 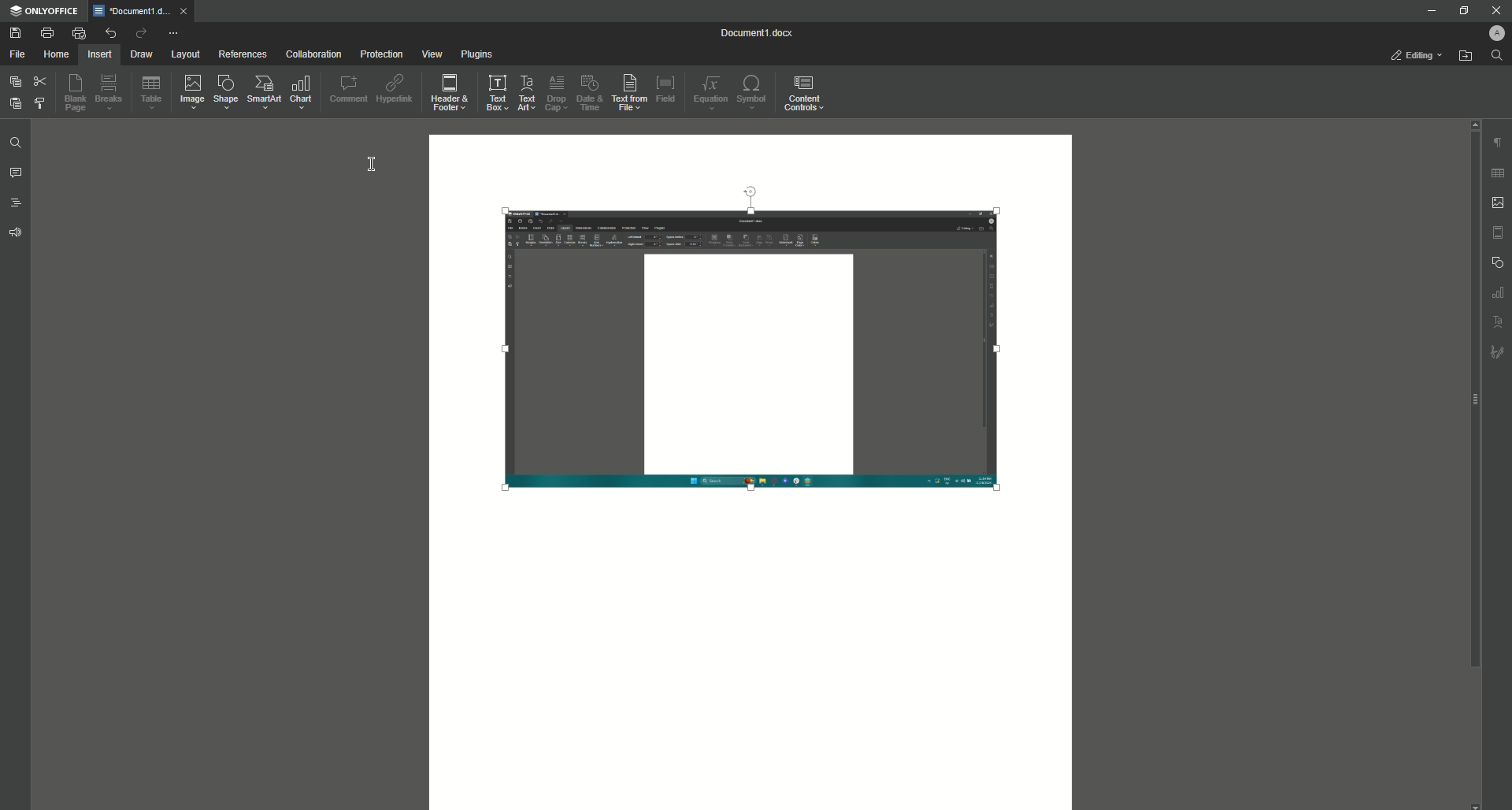 I want to click on Blank Page, so click(x=72, y=91).